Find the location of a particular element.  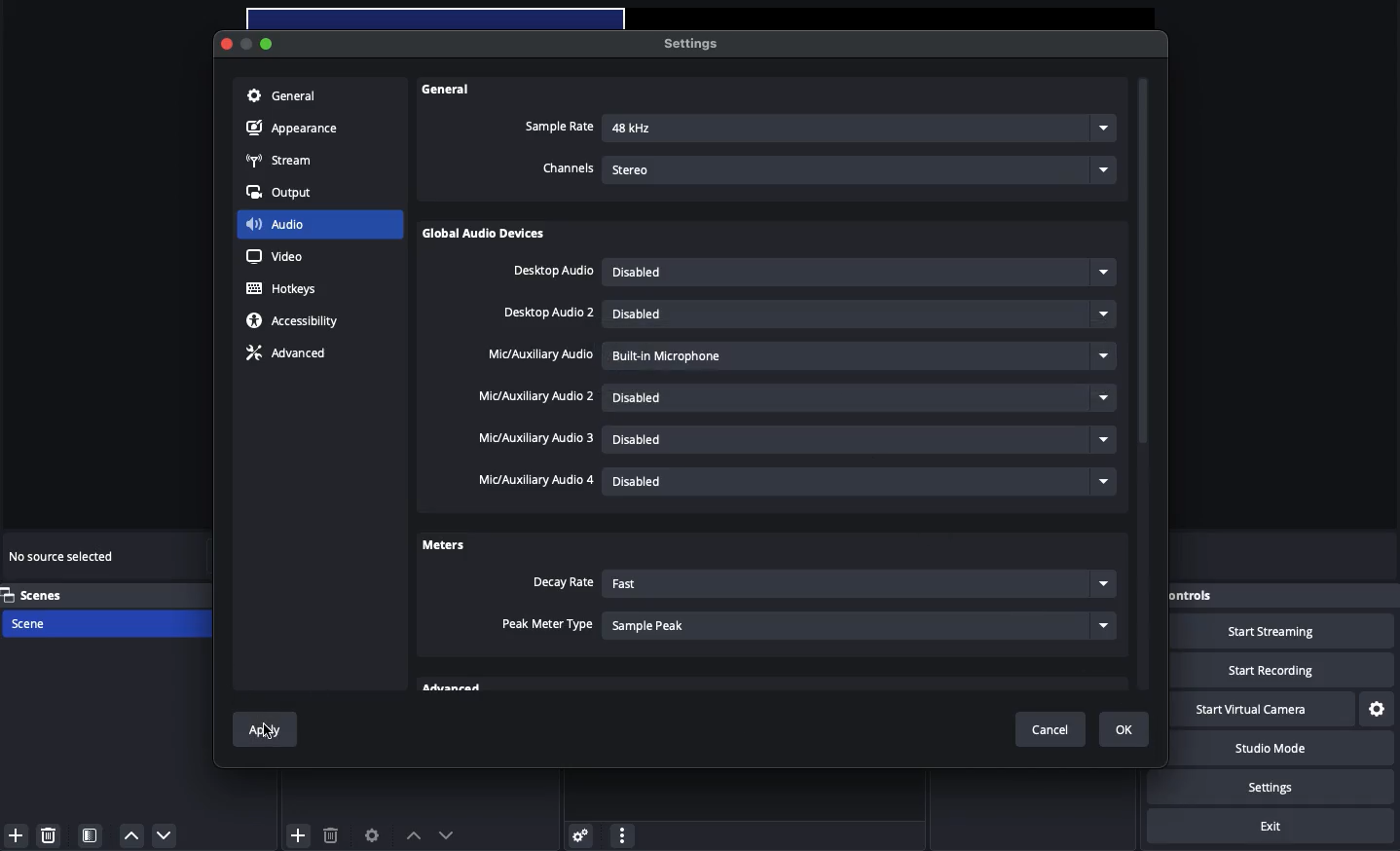

Disabled is located at coordinates (864, 353).